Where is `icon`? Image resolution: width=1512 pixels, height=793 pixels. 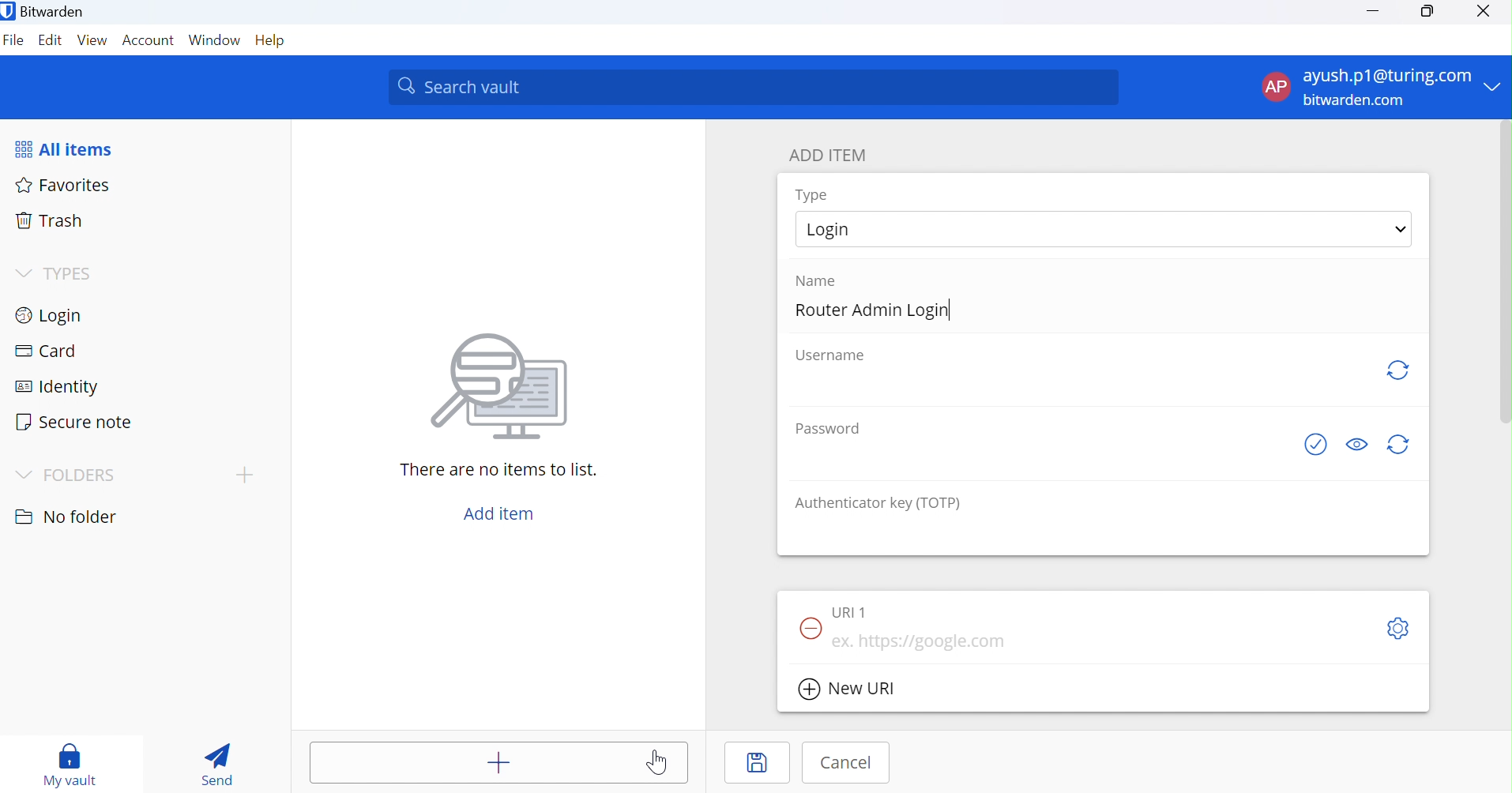 icon is located at coordinates (499, 384).